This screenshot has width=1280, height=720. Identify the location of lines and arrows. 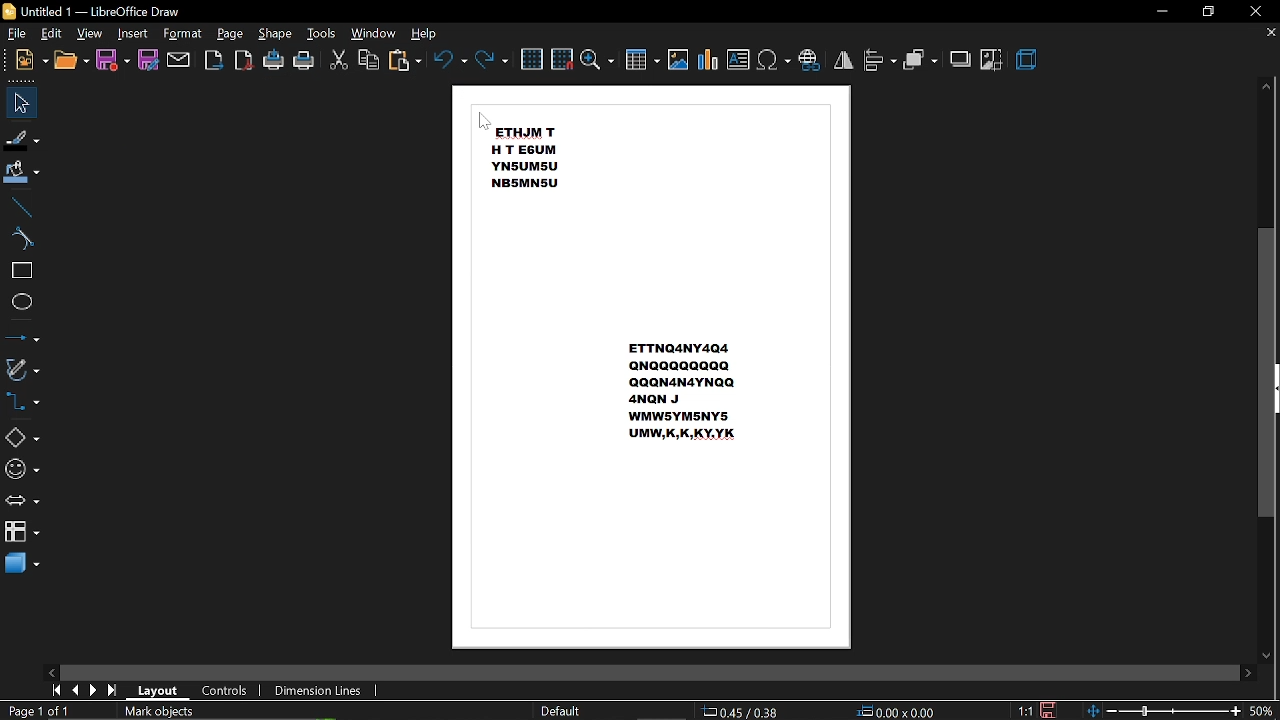
(22, 334).